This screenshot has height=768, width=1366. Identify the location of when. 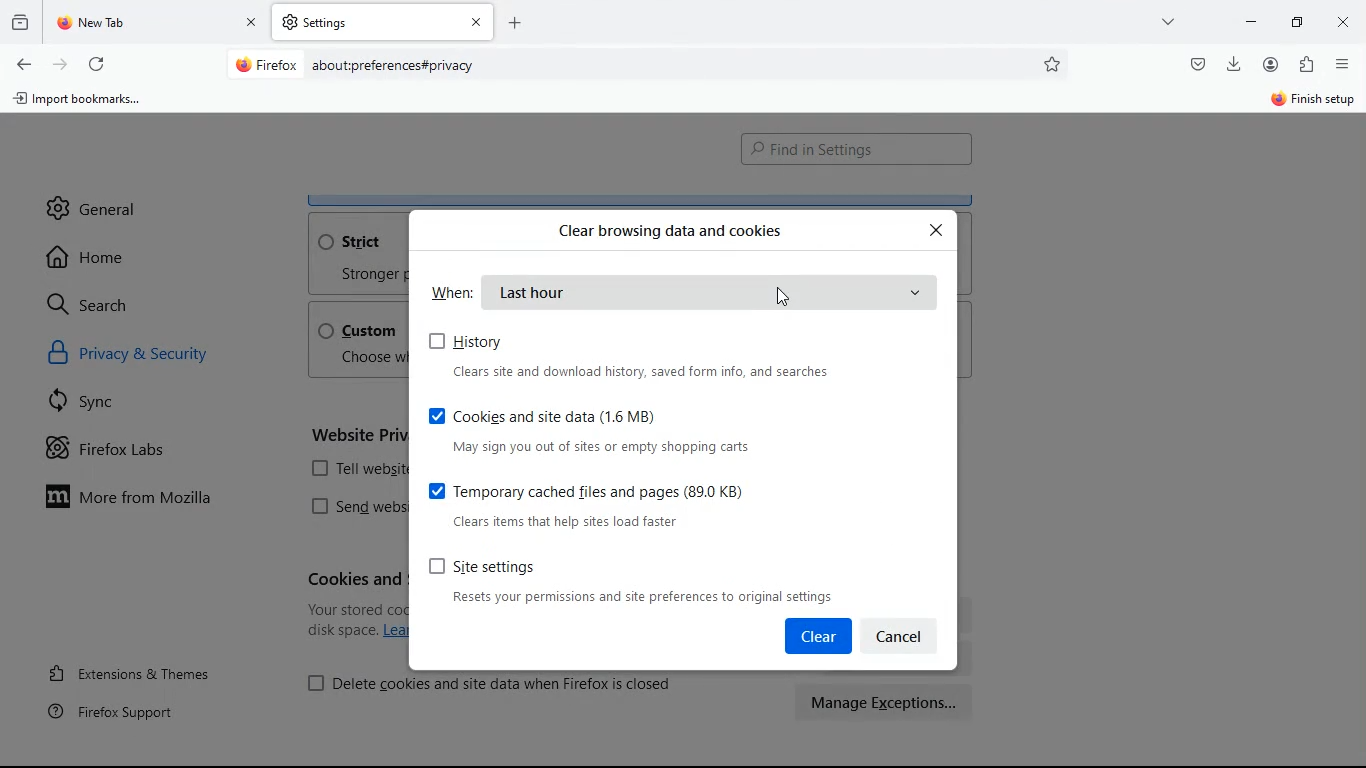
(453, 291).